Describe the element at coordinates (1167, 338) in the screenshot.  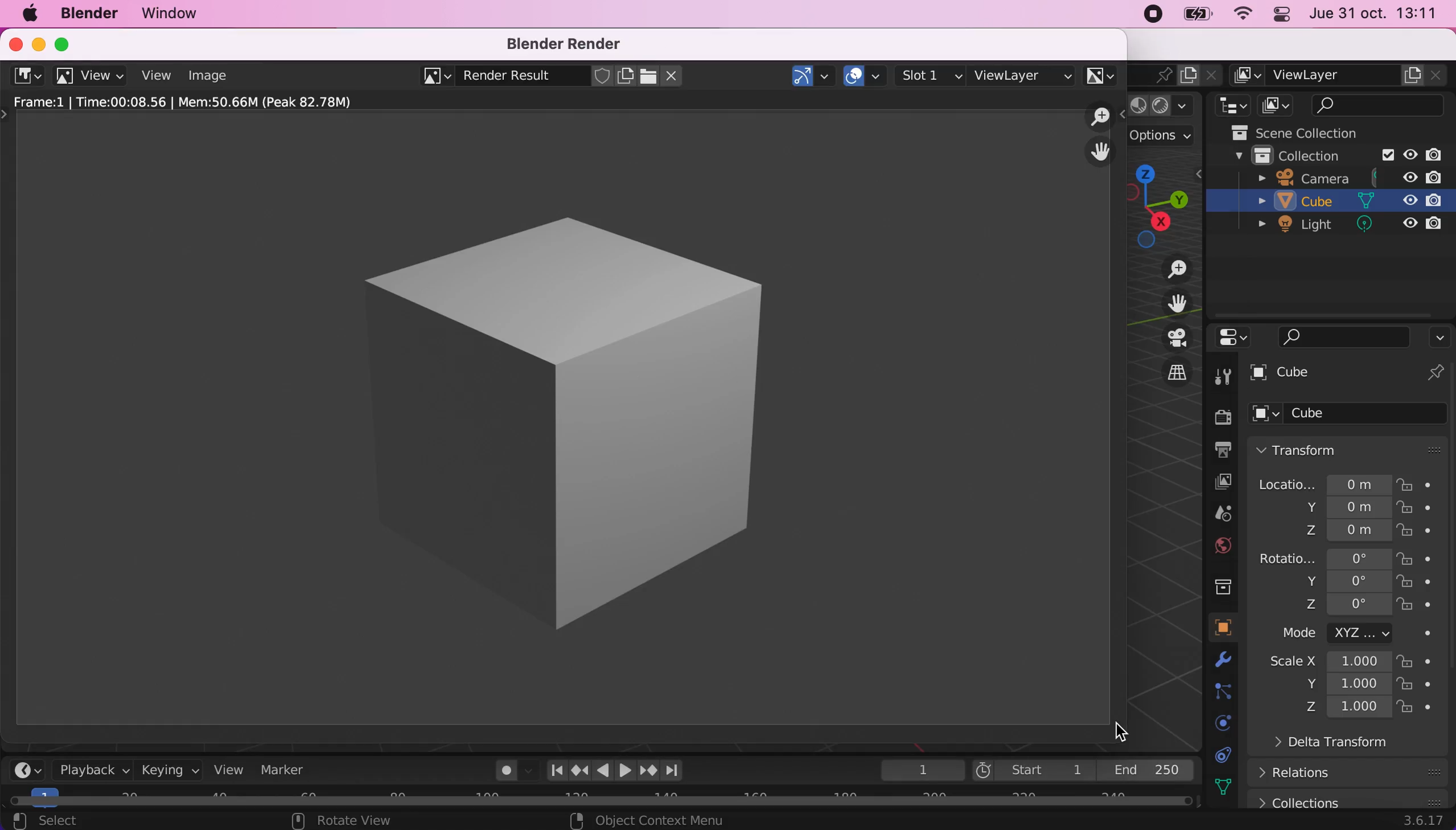
I see `toggle the camera view` at that location.